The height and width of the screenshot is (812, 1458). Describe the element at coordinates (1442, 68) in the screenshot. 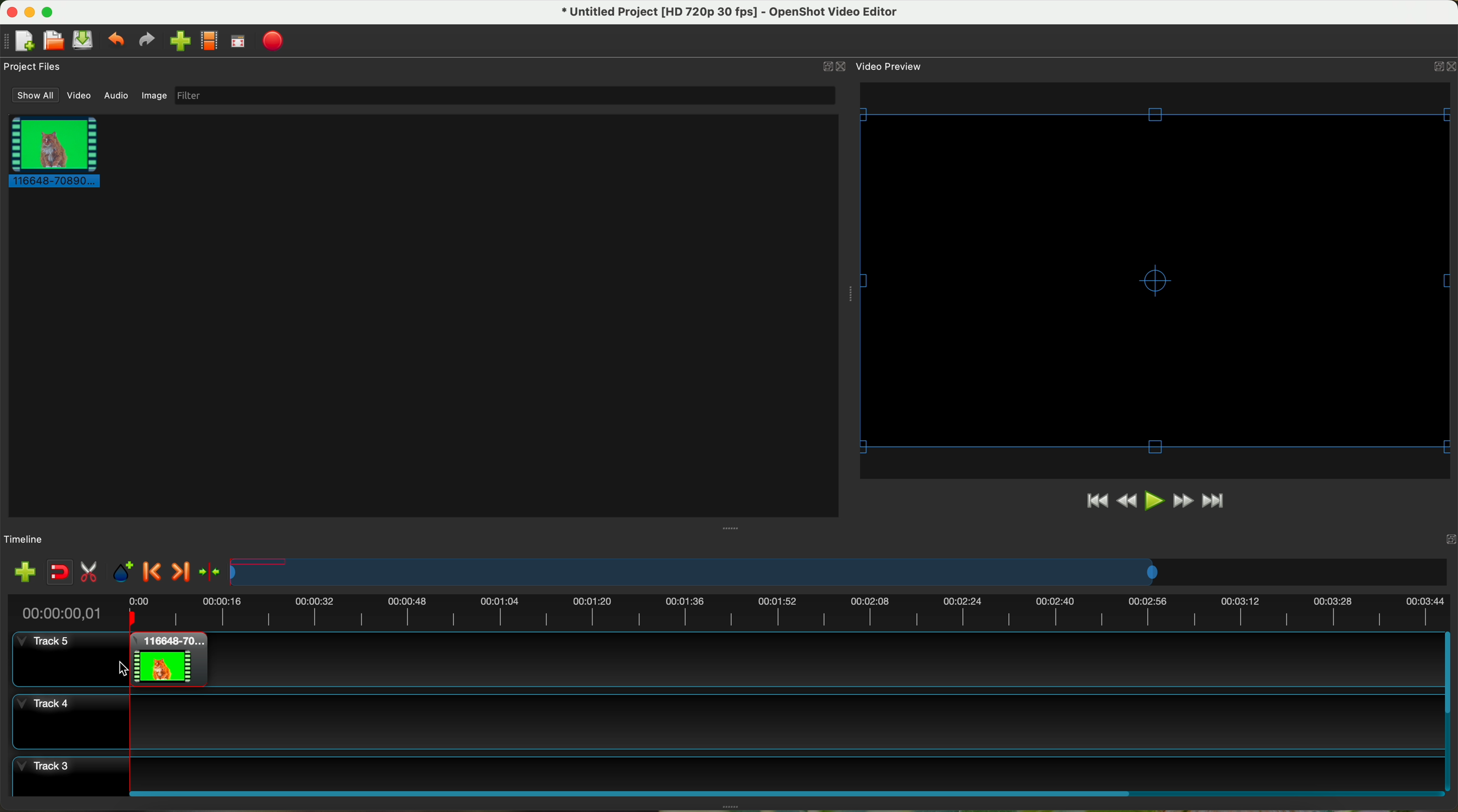

I see `close` at that location.